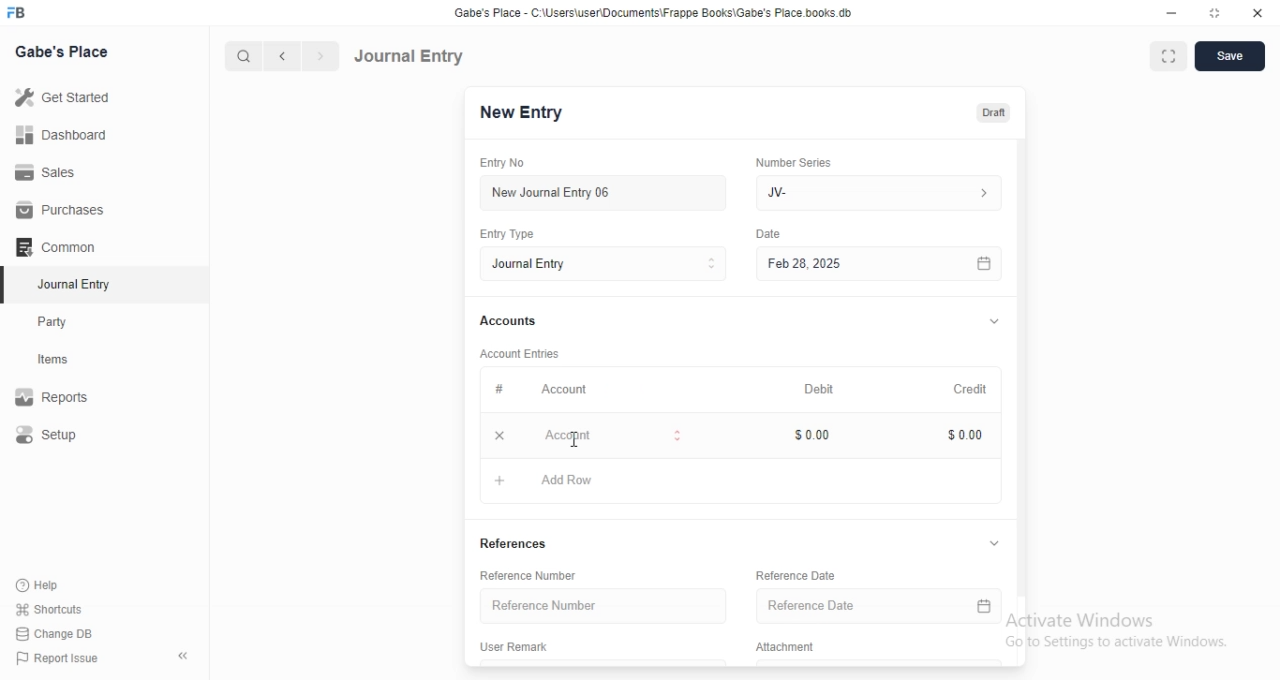 This screenshot has height=680, width=1280. Describe the element at coordinates (820, 388) in the screenshot. I see `Debit` at that location.